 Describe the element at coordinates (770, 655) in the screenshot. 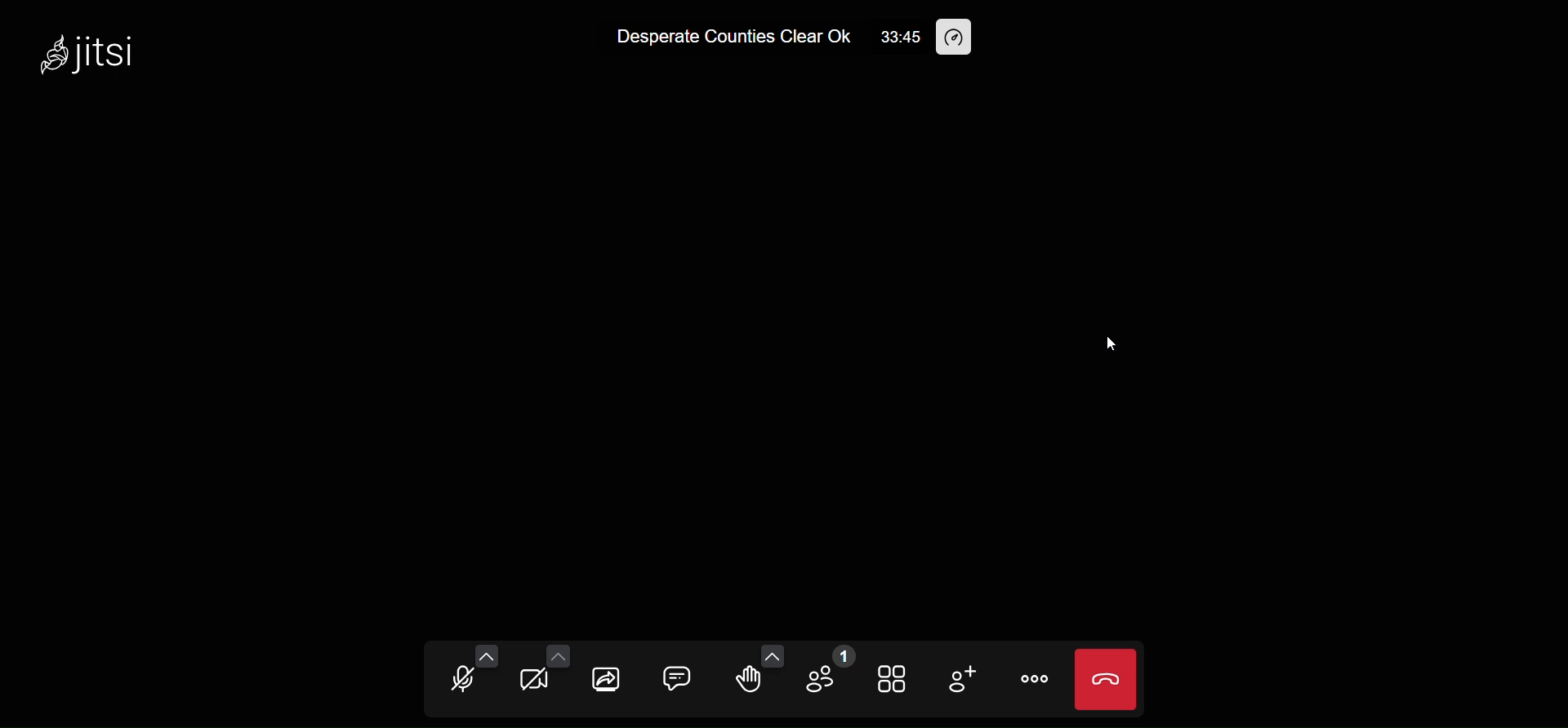

I see `more emoji` at that location.